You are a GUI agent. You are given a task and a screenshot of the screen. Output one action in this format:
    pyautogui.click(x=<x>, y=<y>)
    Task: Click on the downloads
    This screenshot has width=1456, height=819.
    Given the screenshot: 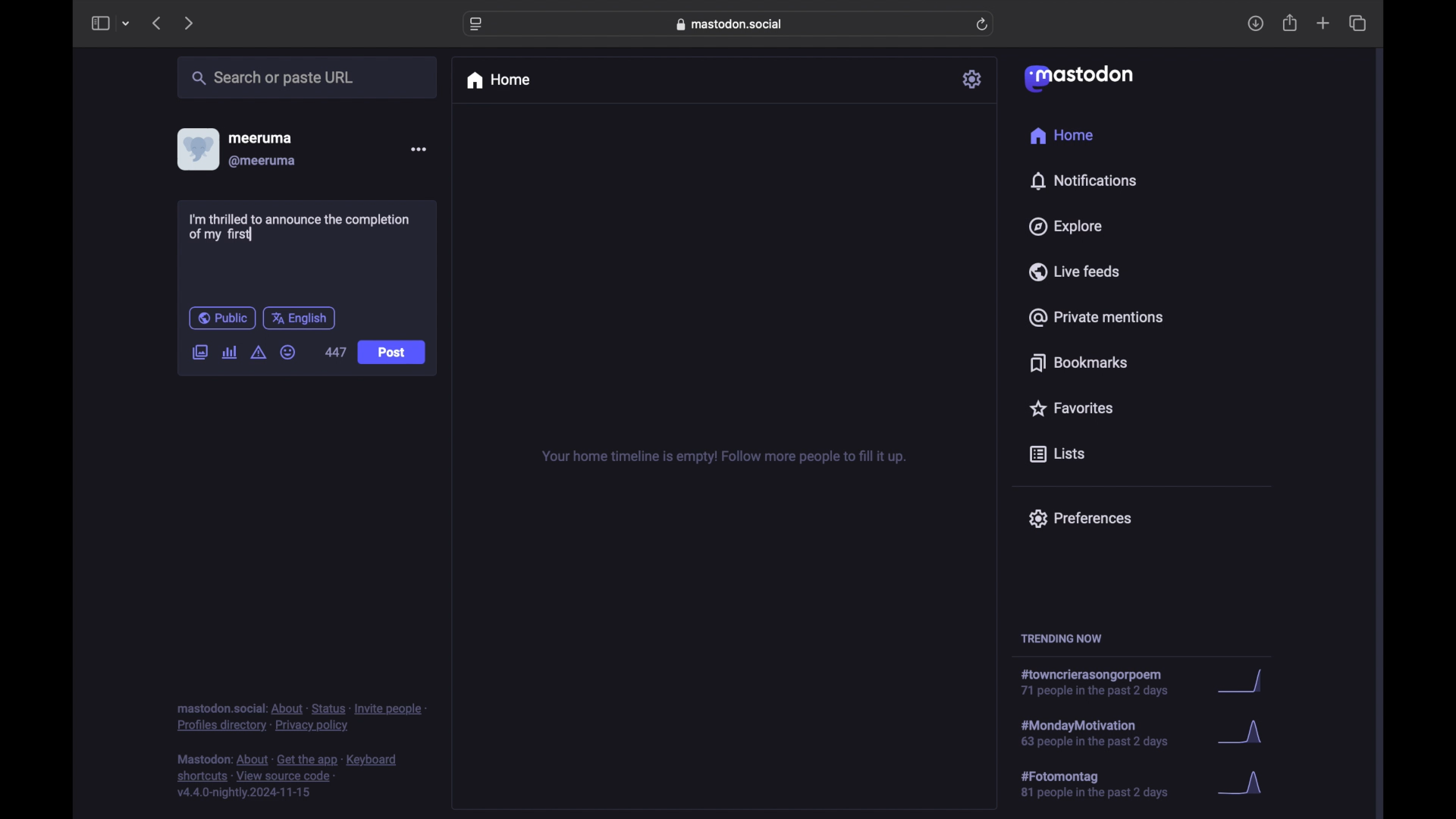 What is the action you would take?
    pyautogui.click(x=1255, y=24)
    